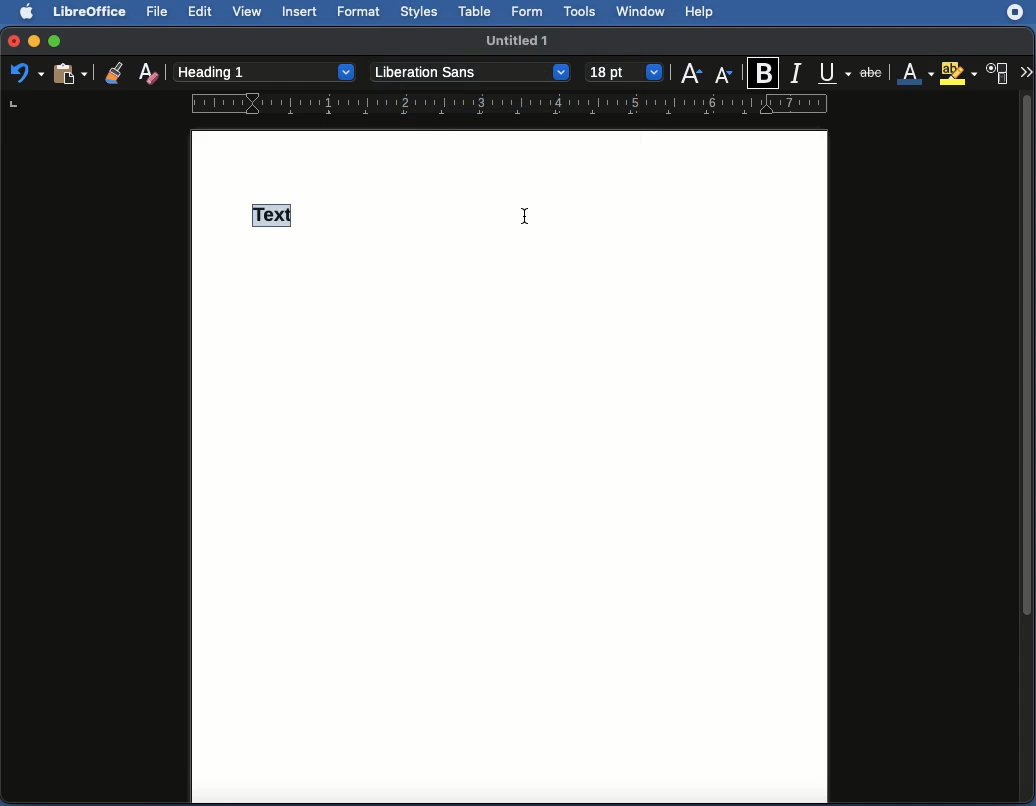  What do you see at coordinates (525, 217) in the screenshot?
I see `cursor` at bounding box center [525, 217].